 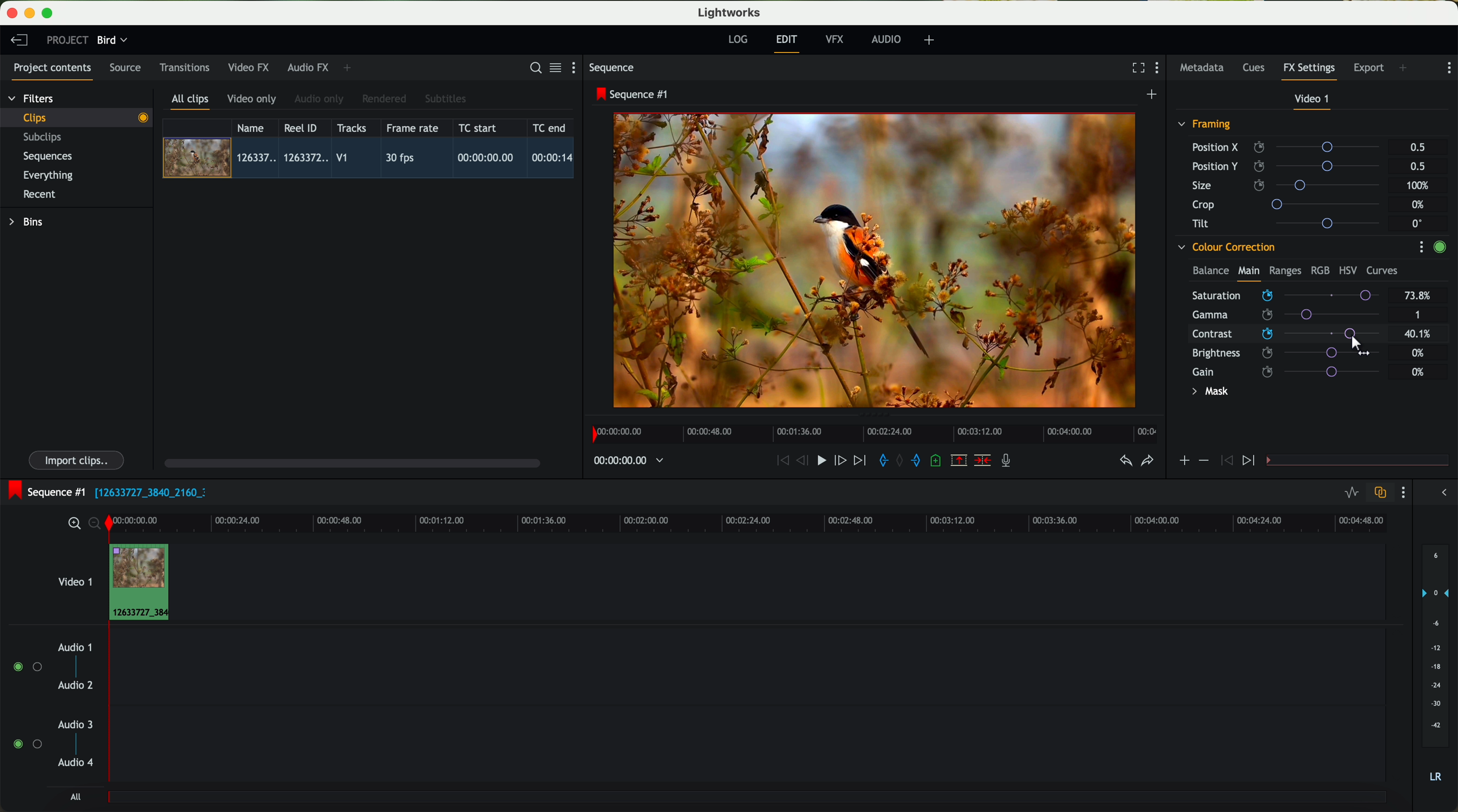 I want to click on fx settings, so click(x=1309, y=71).